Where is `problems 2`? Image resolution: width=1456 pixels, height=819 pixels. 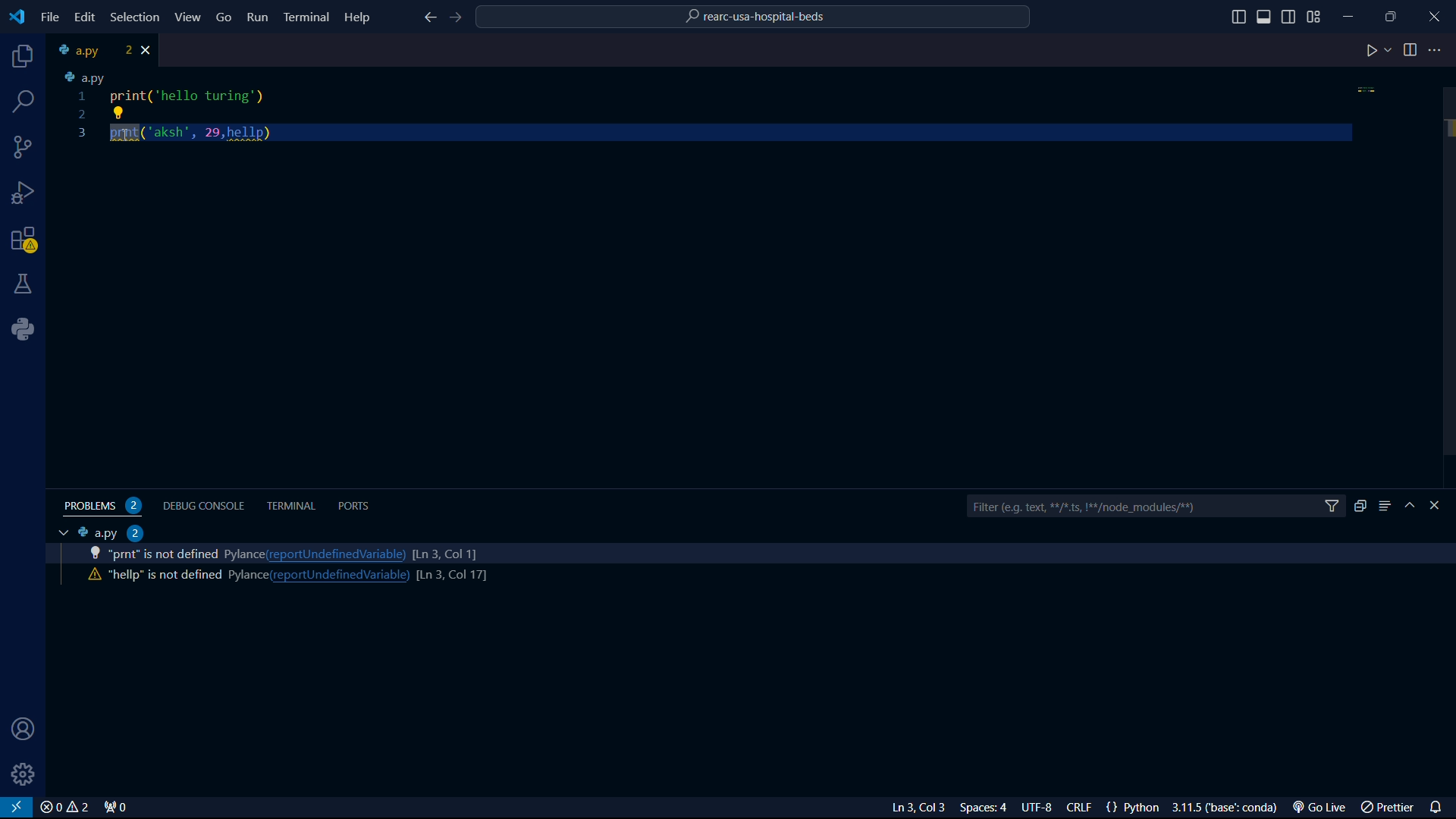 problems 2 is located at coordinates (106, 506).